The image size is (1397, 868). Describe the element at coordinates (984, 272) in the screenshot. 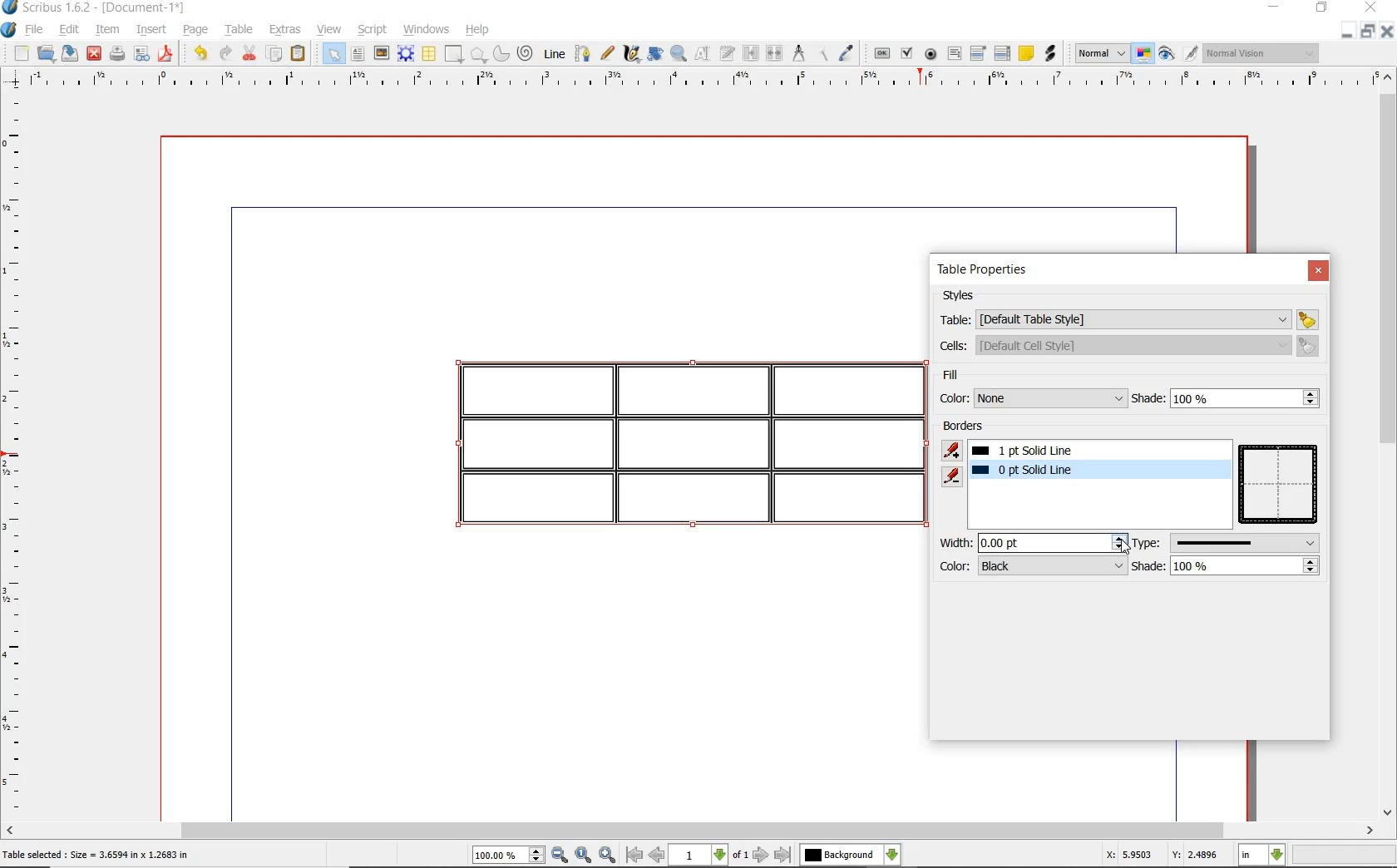

I see `table properties` at that location.